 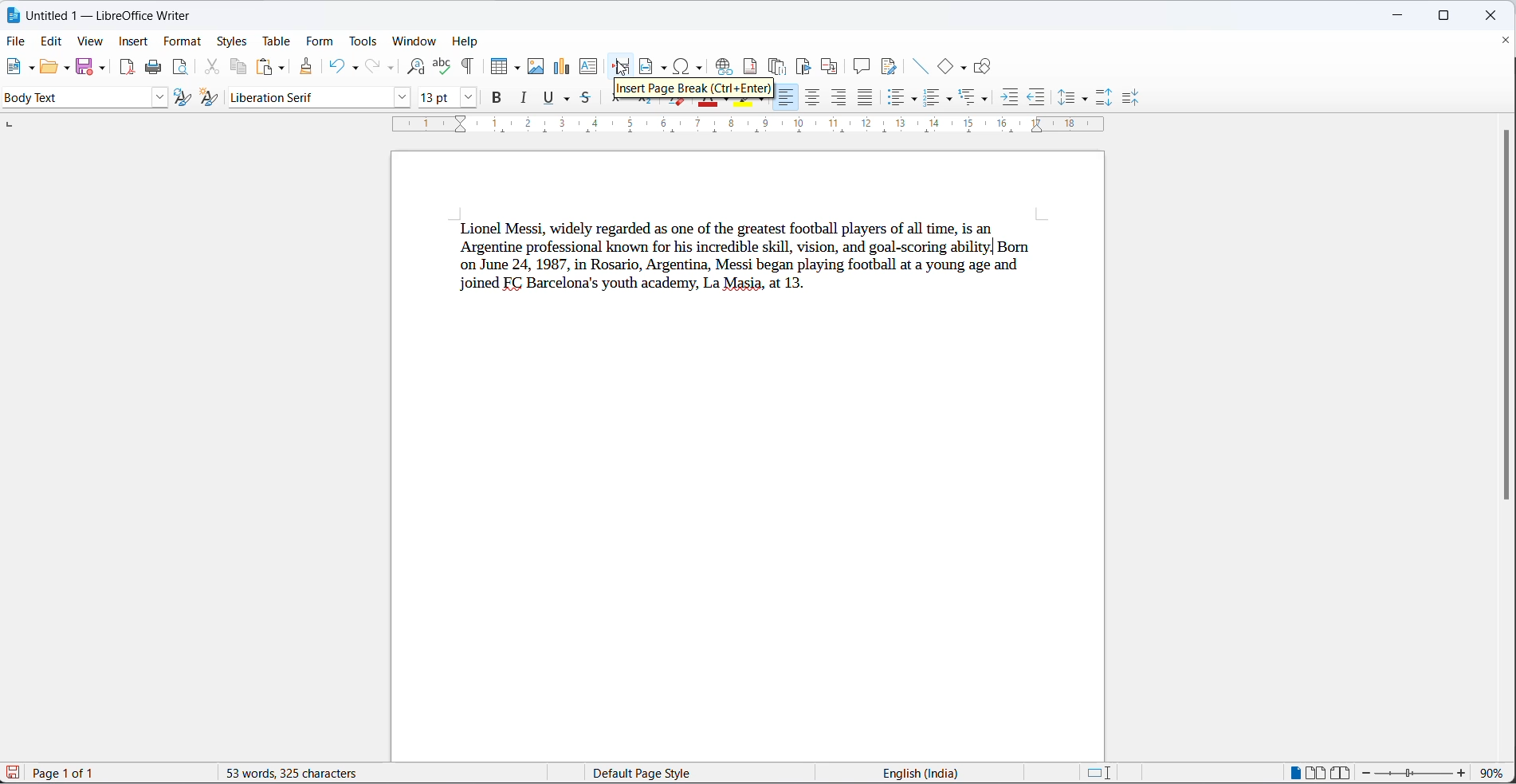 What do you see at coordinates (913, 98) in the screenshot?
I see `toggle unordered list options` at bounding box center [913, 98].